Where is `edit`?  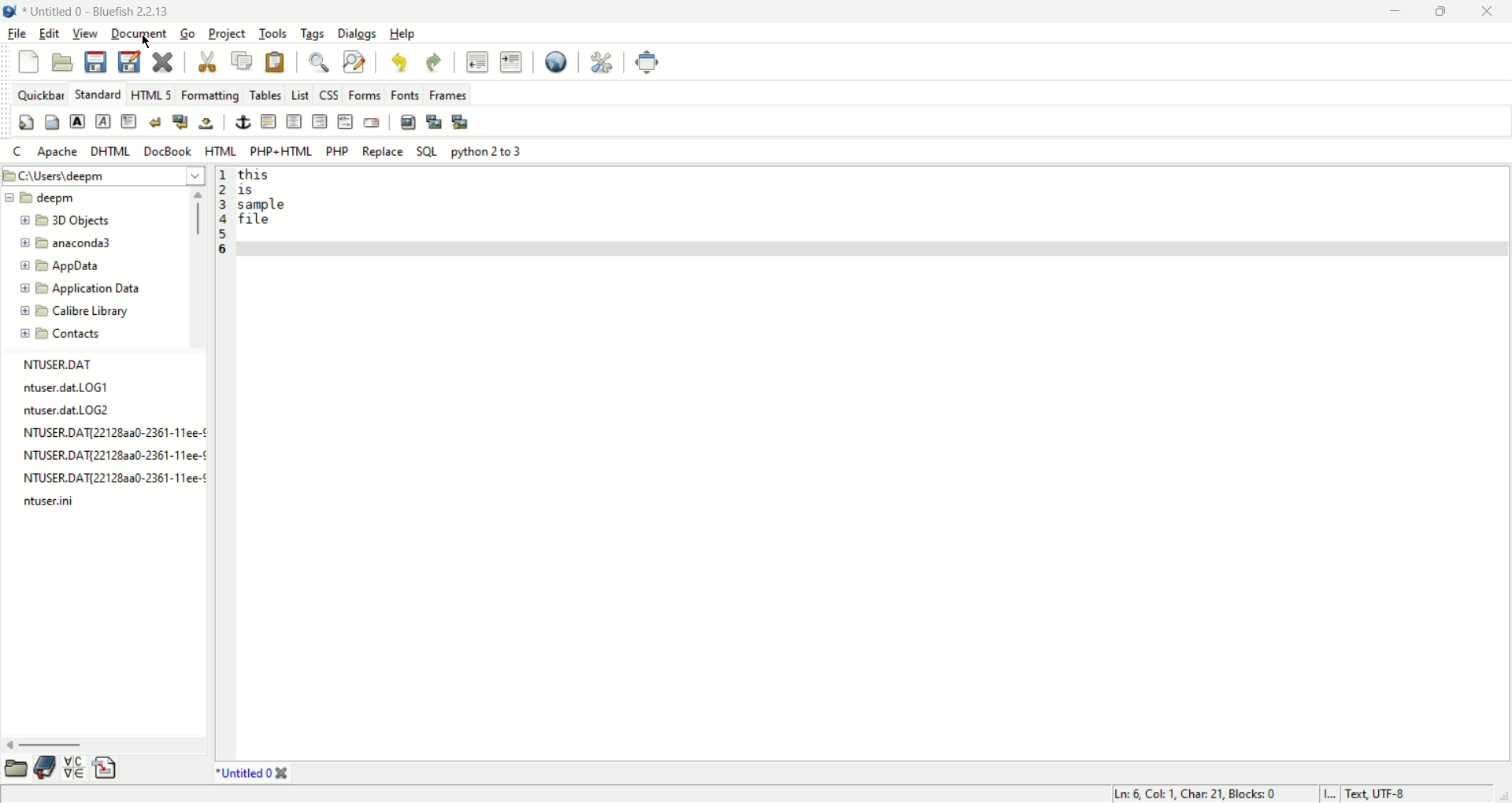
edit is located at coordinates (52, 33).